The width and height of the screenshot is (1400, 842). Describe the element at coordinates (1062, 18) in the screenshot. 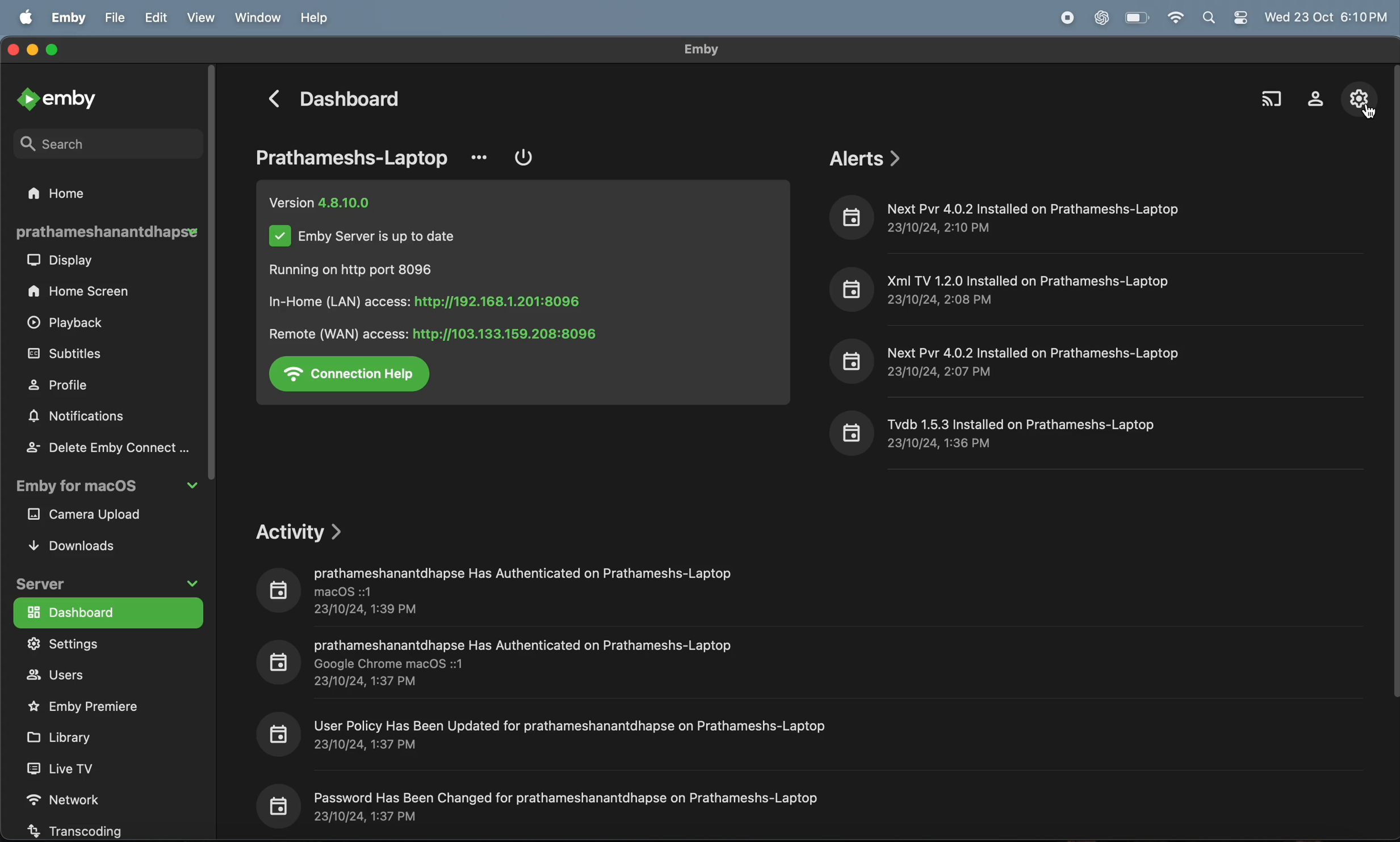

I see `record` at that location.